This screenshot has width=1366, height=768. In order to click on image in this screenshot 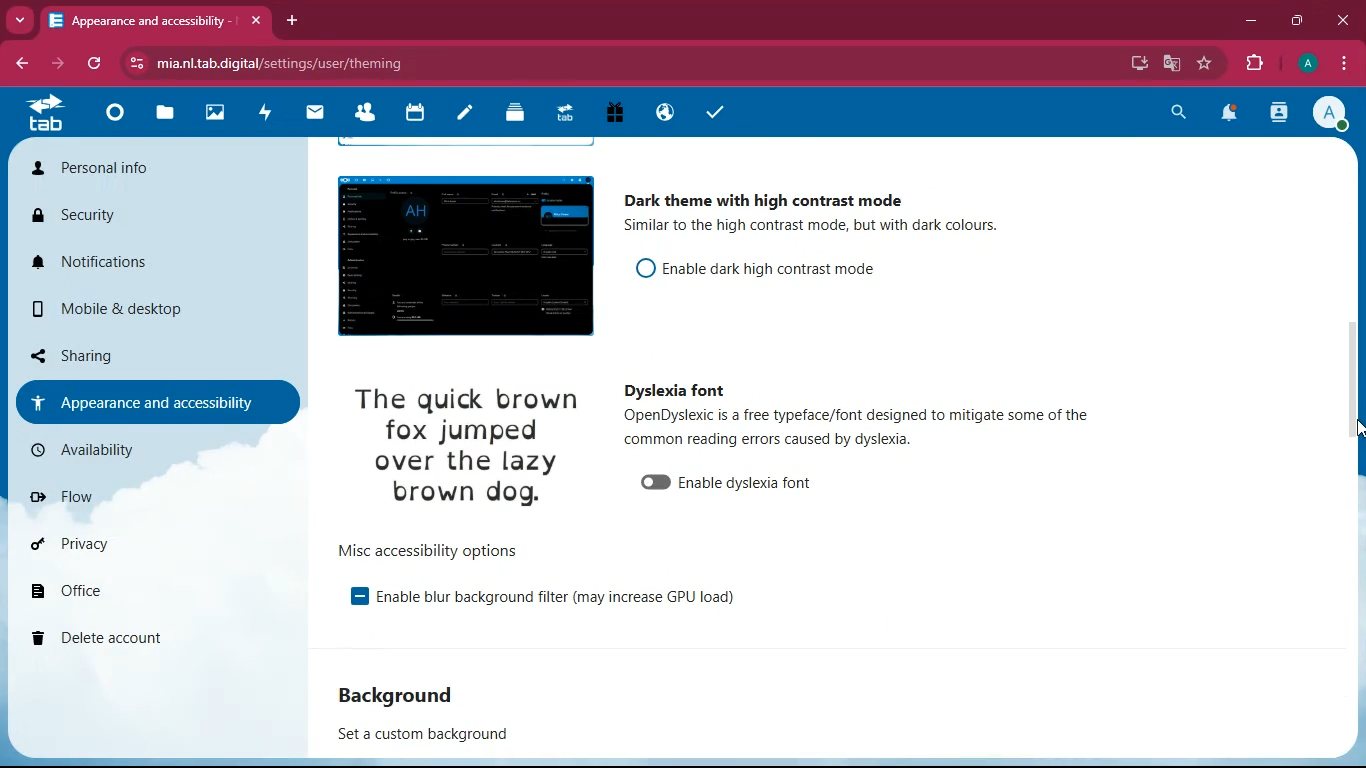, I will do `click(458, 253)`.